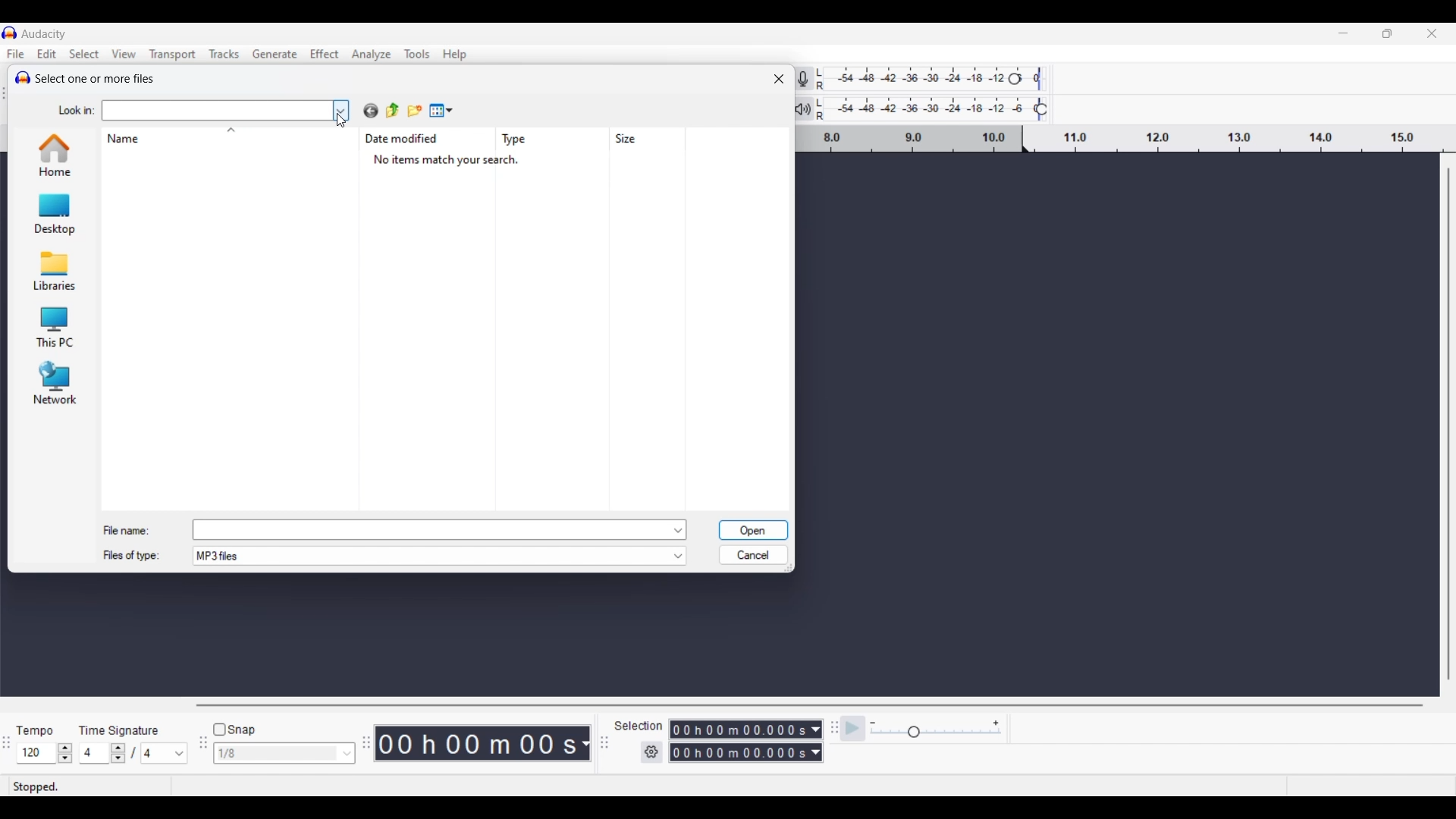  What do you see at coordinates (652, 752) in the screenshot?
I see `Selection settings` at bounding box center [652, 752].